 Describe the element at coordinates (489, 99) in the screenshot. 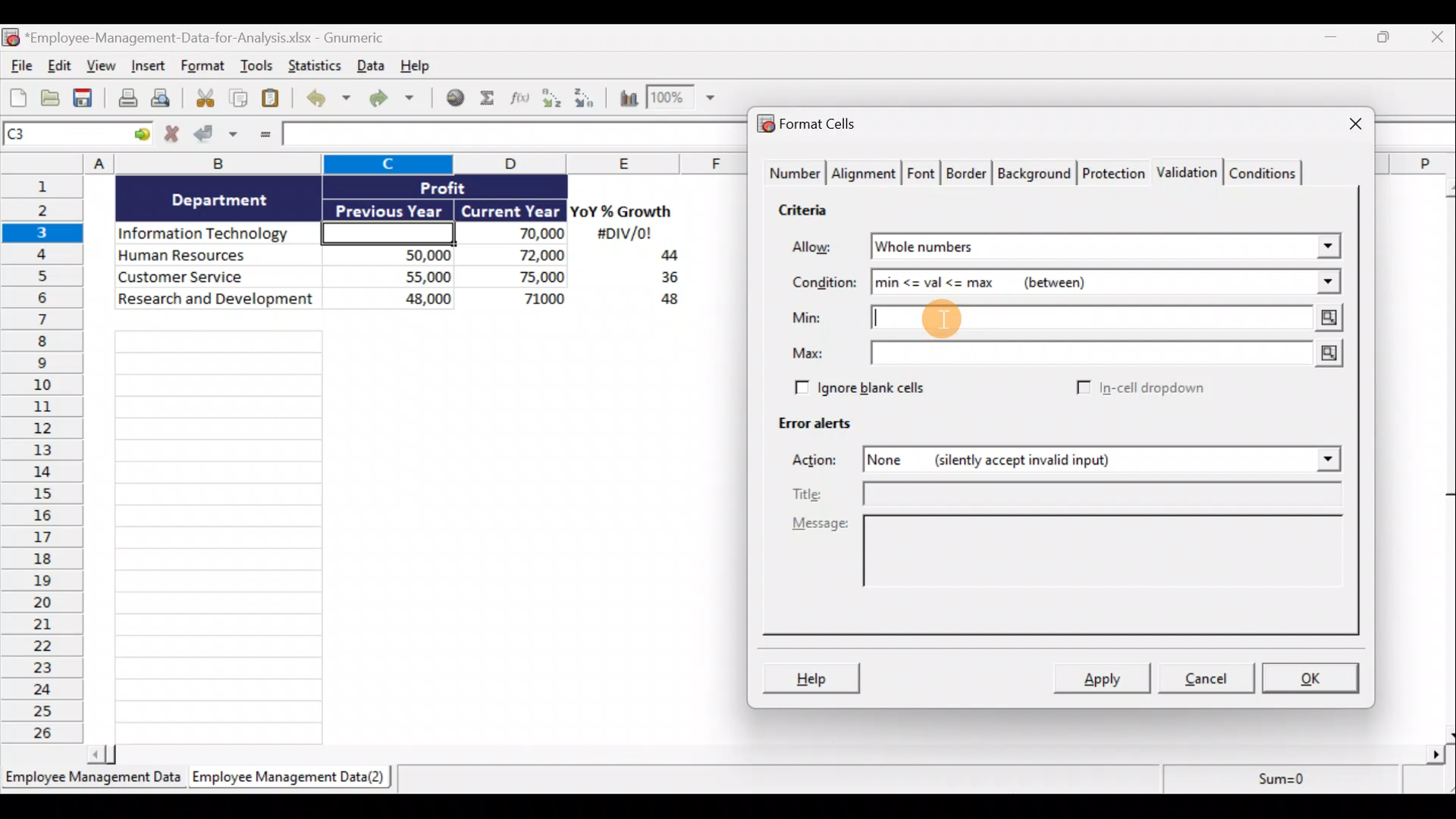

I see `Sum into the current cell` at that location.